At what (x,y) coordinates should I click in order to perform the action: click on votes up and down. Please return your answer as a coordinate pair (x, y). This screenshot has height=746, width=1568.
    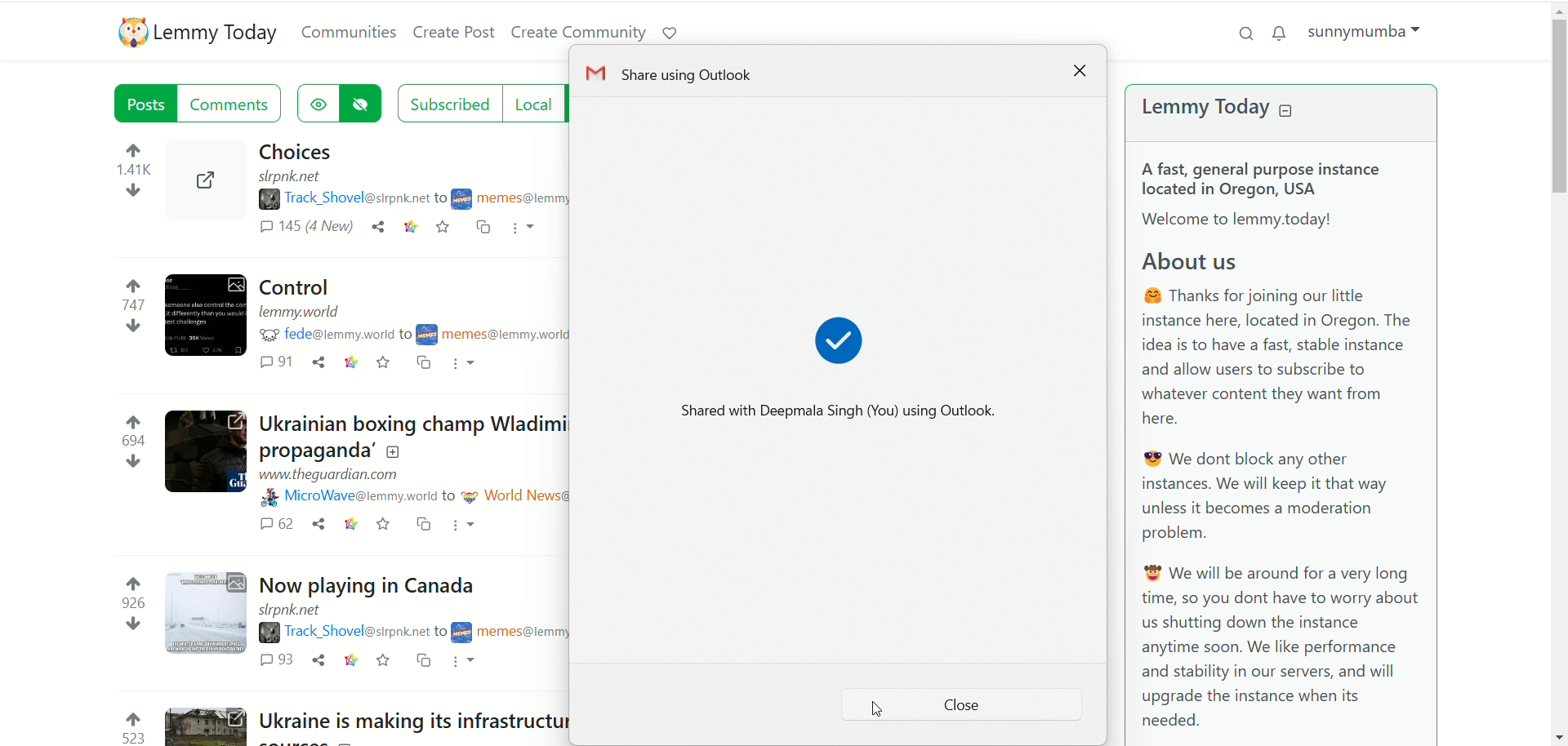
    Looking at the image, I should click on (127, 726).